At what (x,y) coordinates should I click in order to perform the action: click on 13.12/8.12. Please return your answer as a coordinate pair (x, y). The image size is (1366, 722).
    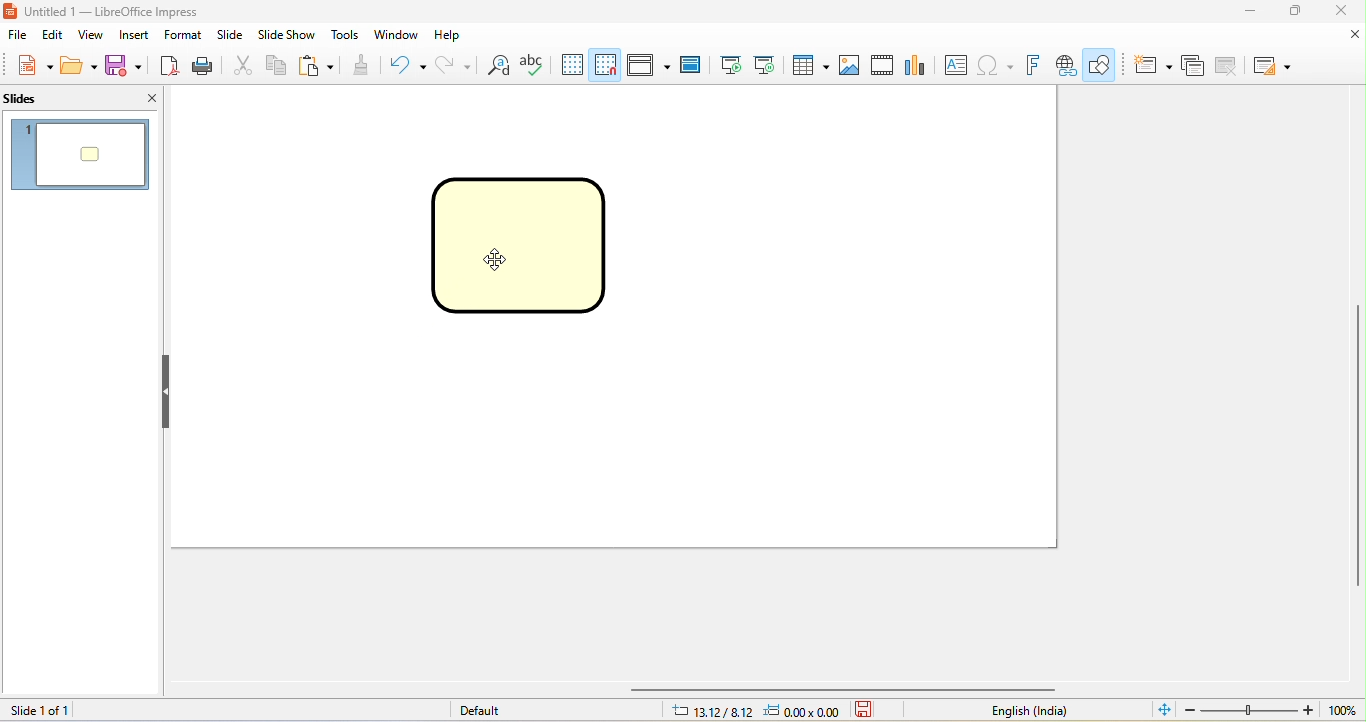
    Looking at the image, I should click on (712, 710).